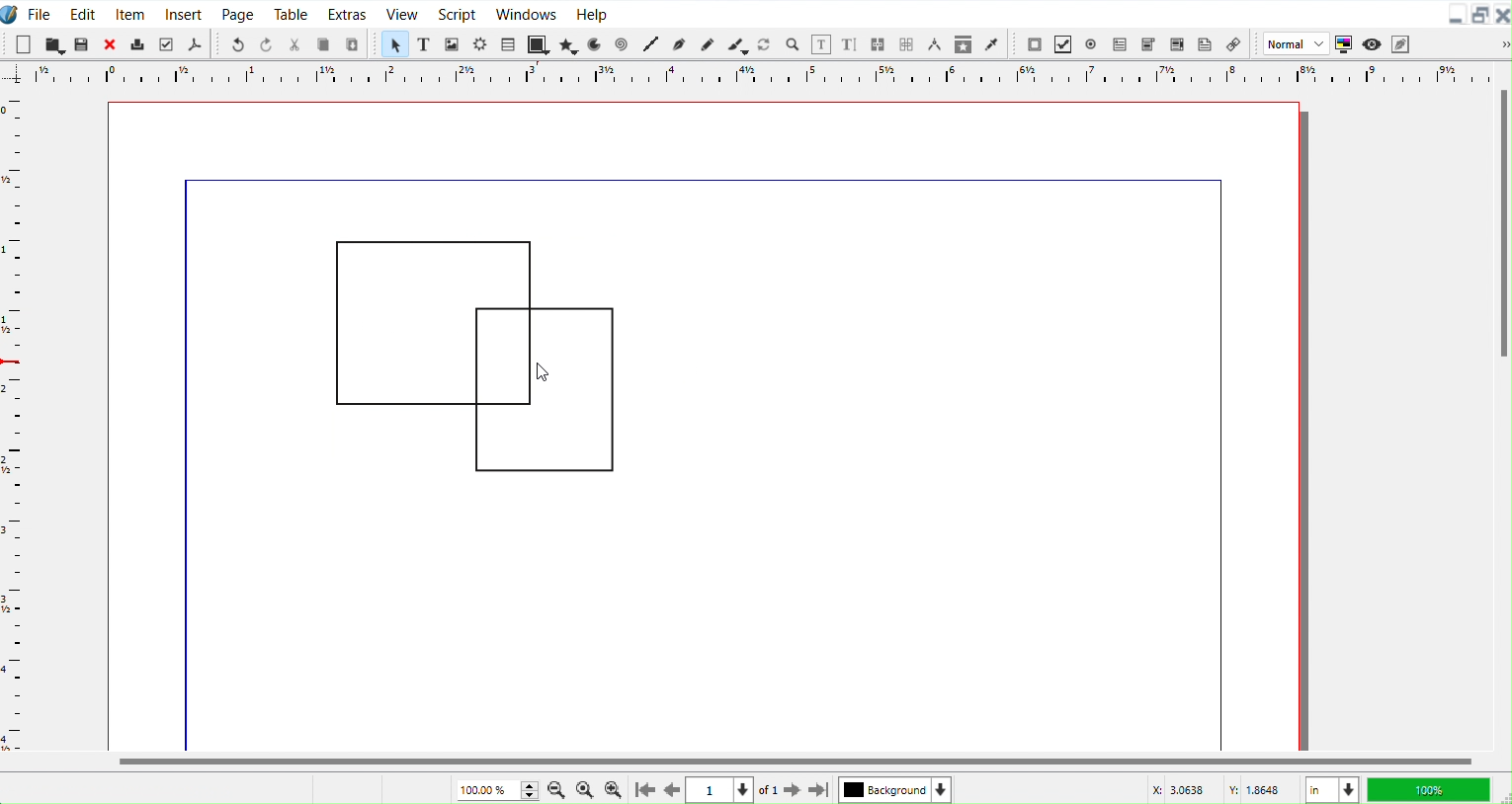 The image size is (1512, 804). I want to click on Vertical Scale, so click(743, 76).